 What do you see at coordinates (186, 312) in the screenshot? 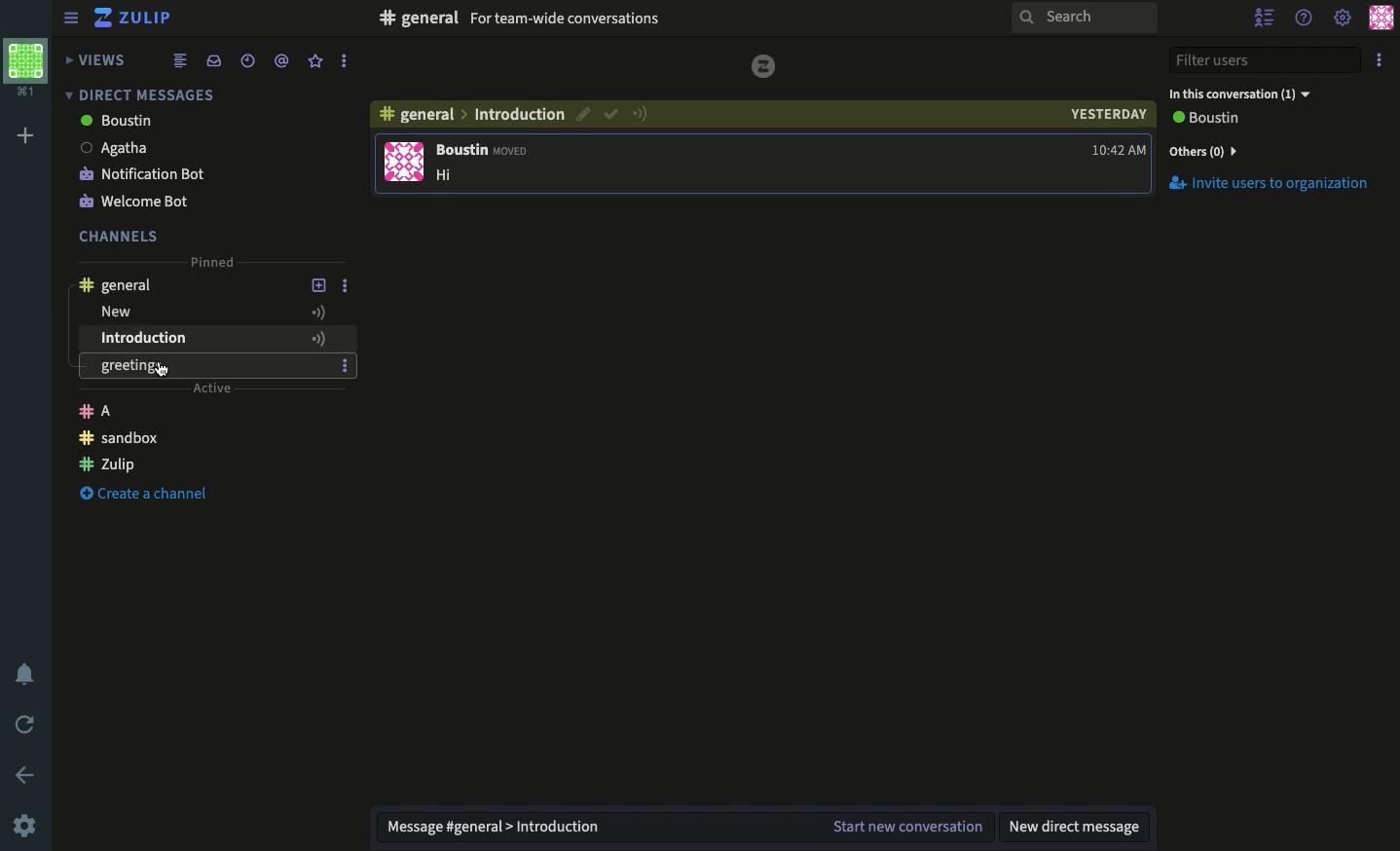
I see `new` at bounding box center [186, 312].